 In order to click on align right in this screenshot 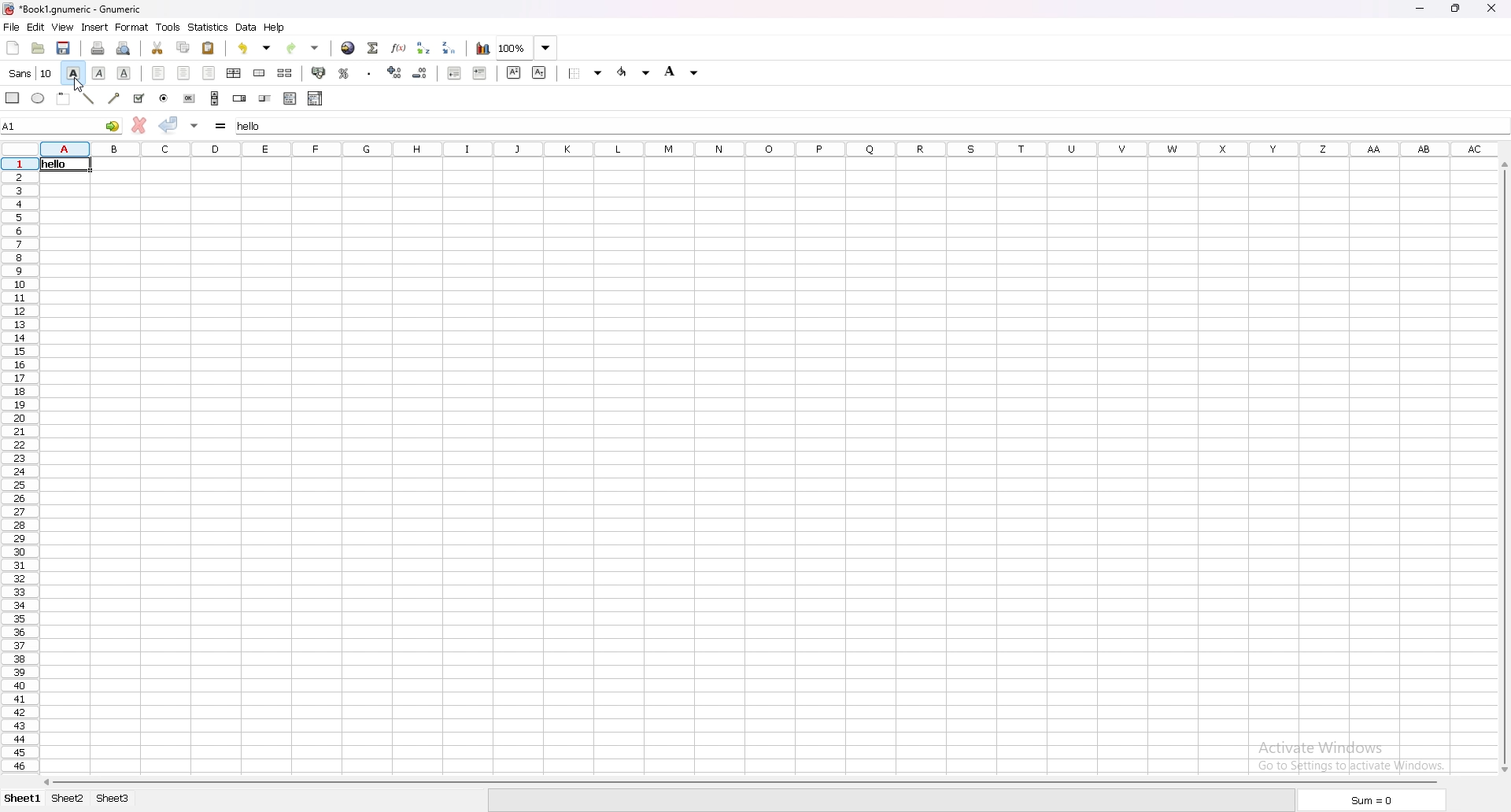, I will do `click(210, 73)`.